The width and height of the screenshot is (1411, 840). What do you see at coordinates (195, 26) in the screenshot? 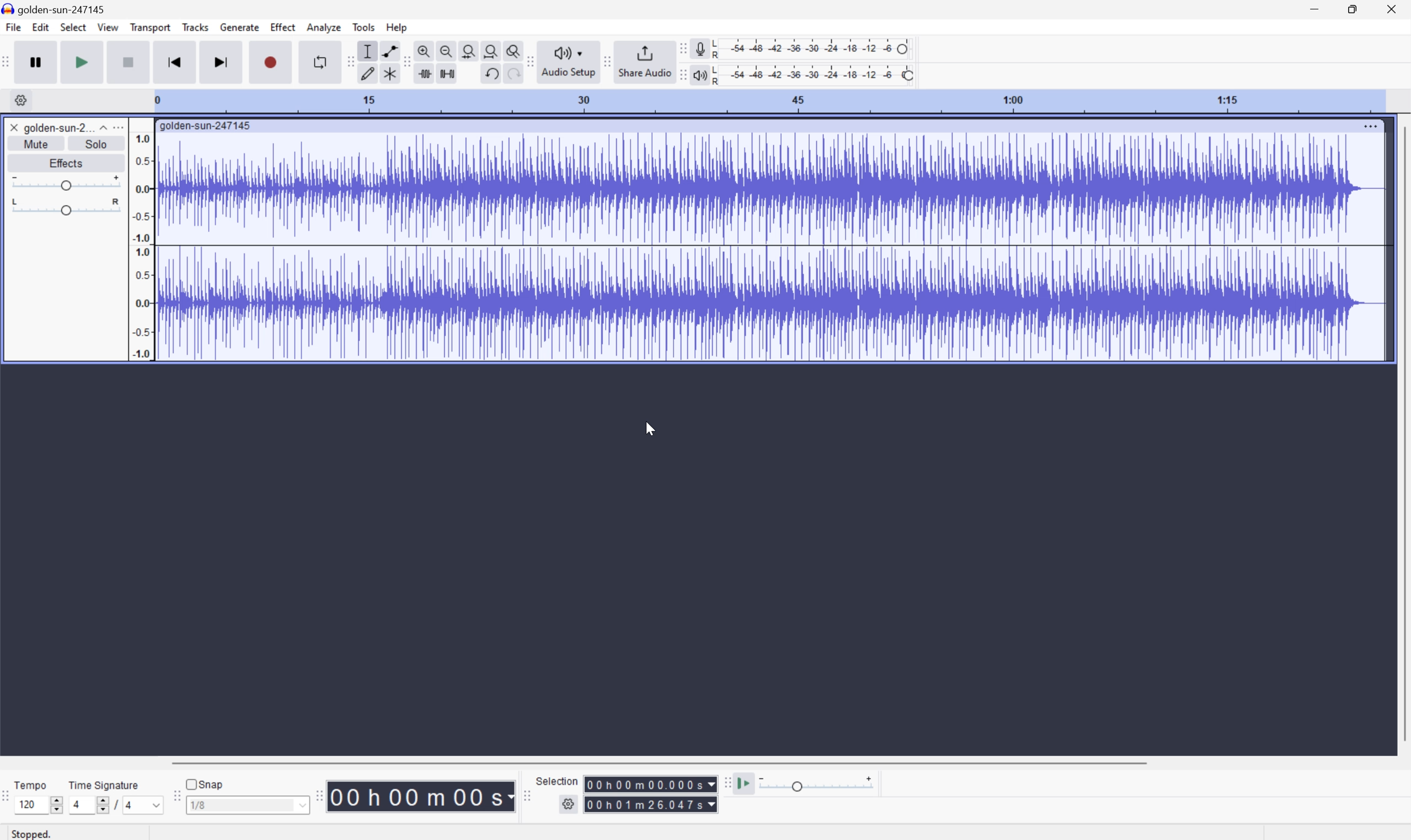
I see `Tracks` at bounding box center [195, 26].